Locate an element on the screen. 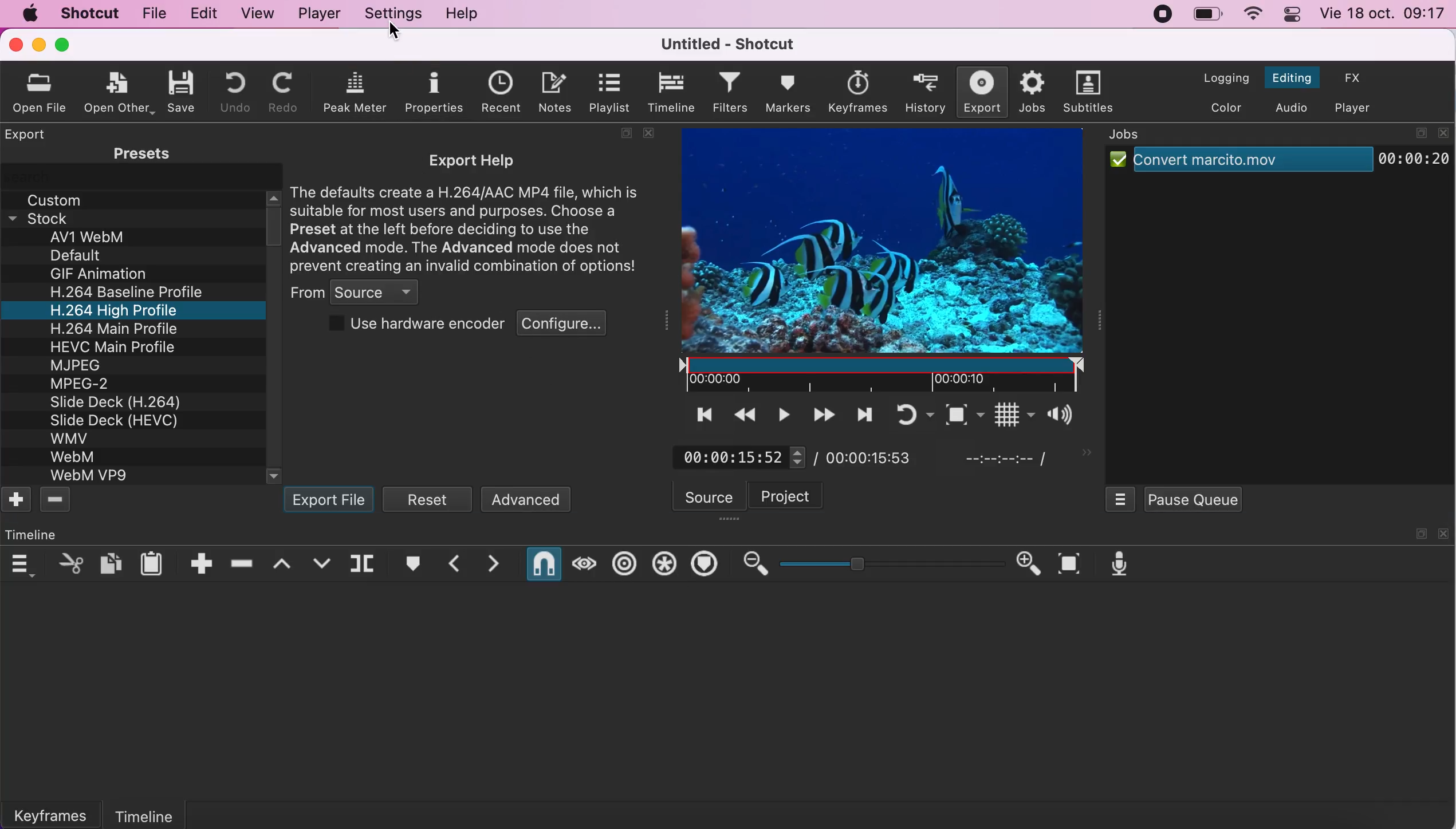 The width and height of the screenshot is (1456, 829). toggle zoom is located at coordinates (946, 413).